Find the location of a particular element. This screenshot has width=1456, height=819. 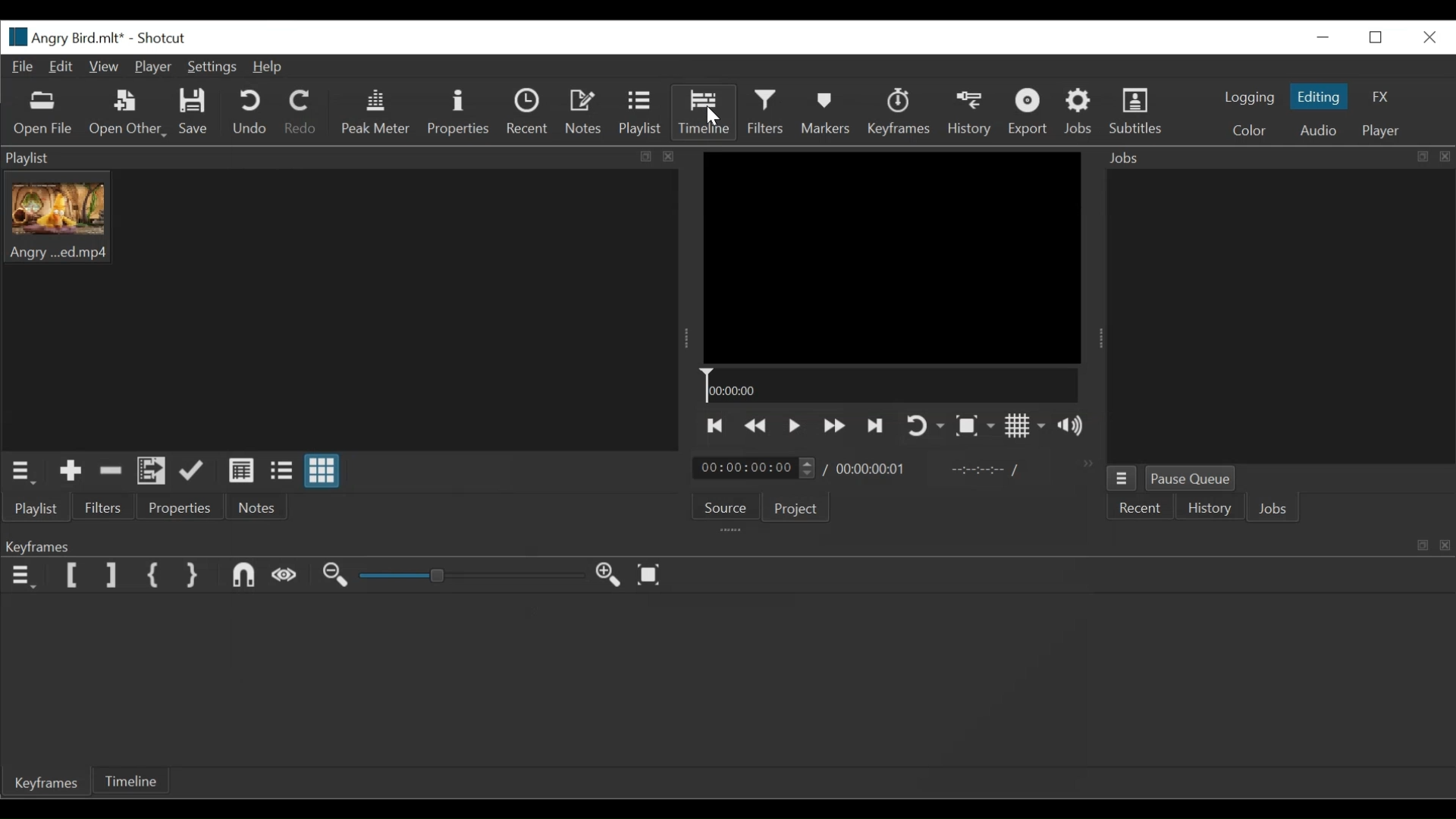

Jobs is located at coordinates (1078, 110).